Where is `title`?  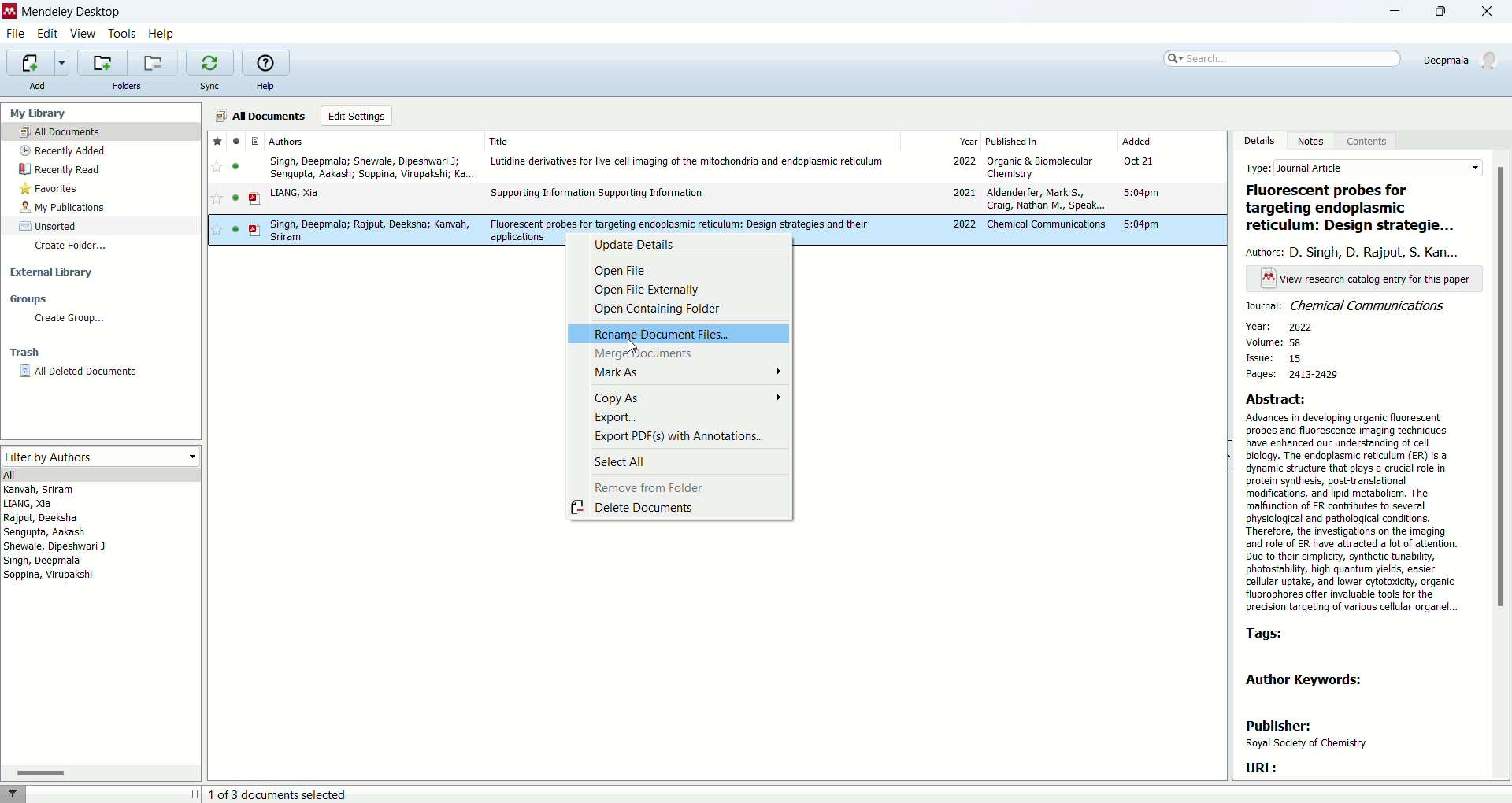 title is located at coordinates (687, 139).